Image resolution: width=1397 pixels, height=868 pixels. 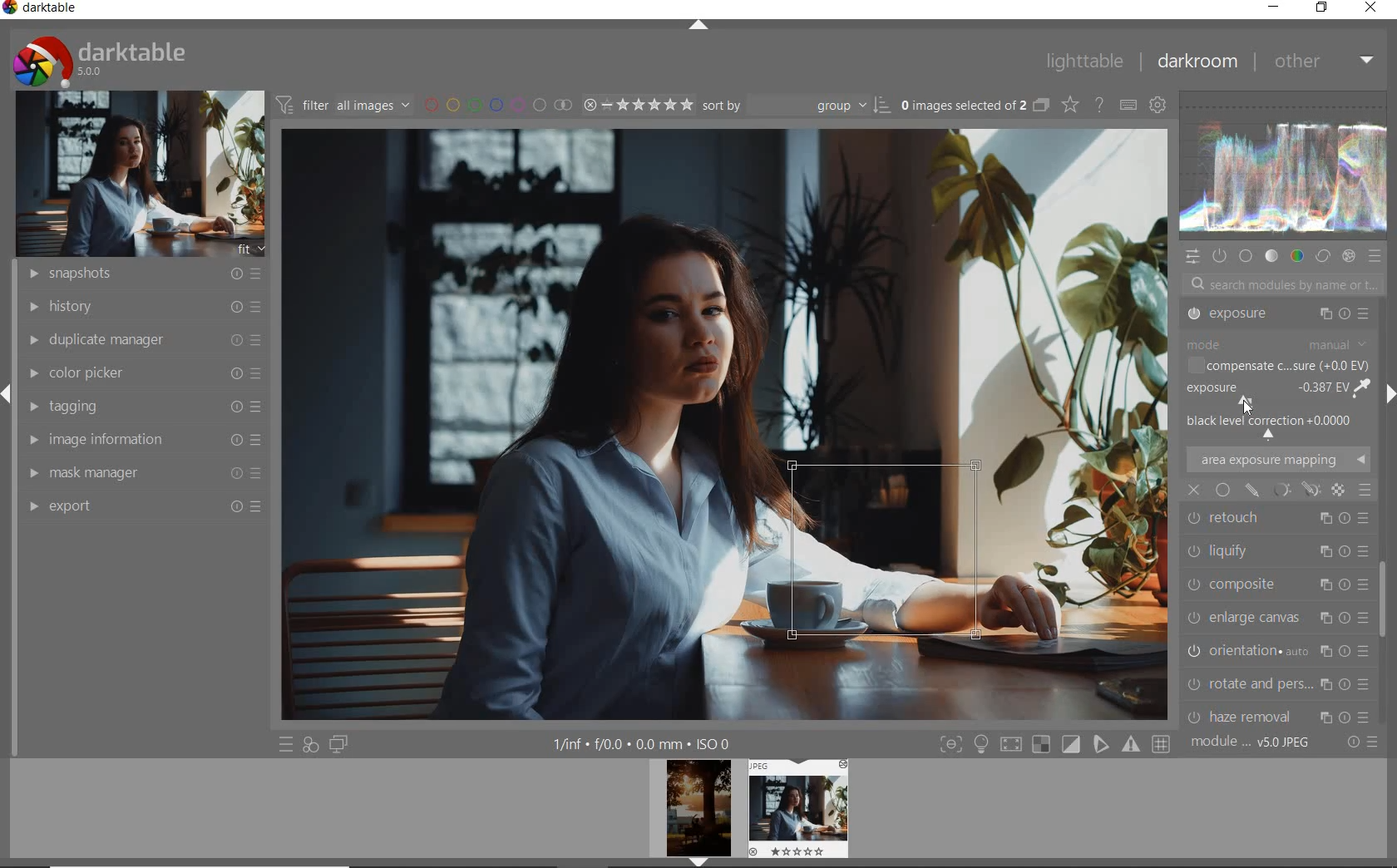 I want to click on HAZE REMOVAL, so click(x=1278, y=614).